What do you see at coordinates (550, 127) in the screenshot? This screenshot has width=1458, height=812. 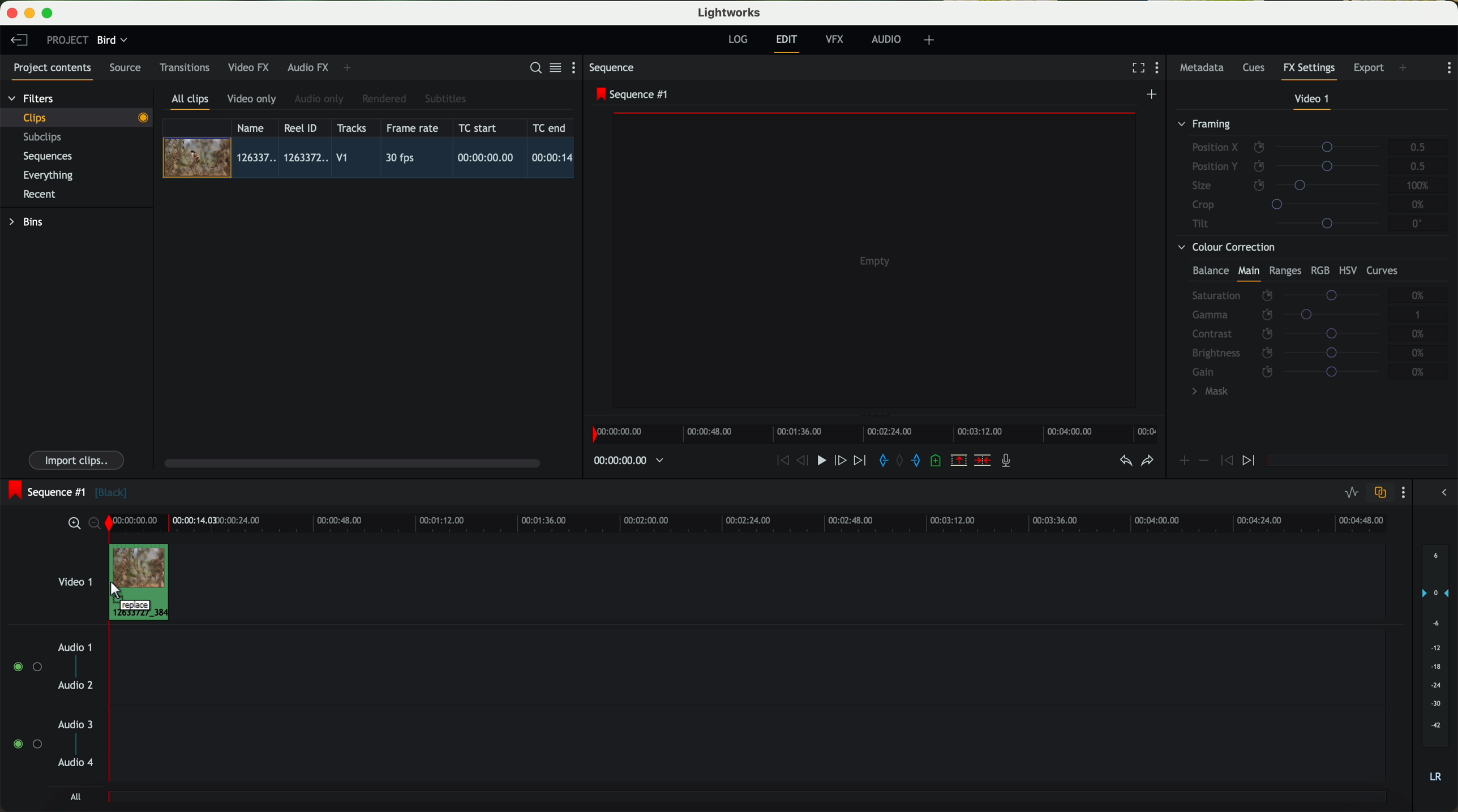 I see `TC end` at bounding box center [550, 127].